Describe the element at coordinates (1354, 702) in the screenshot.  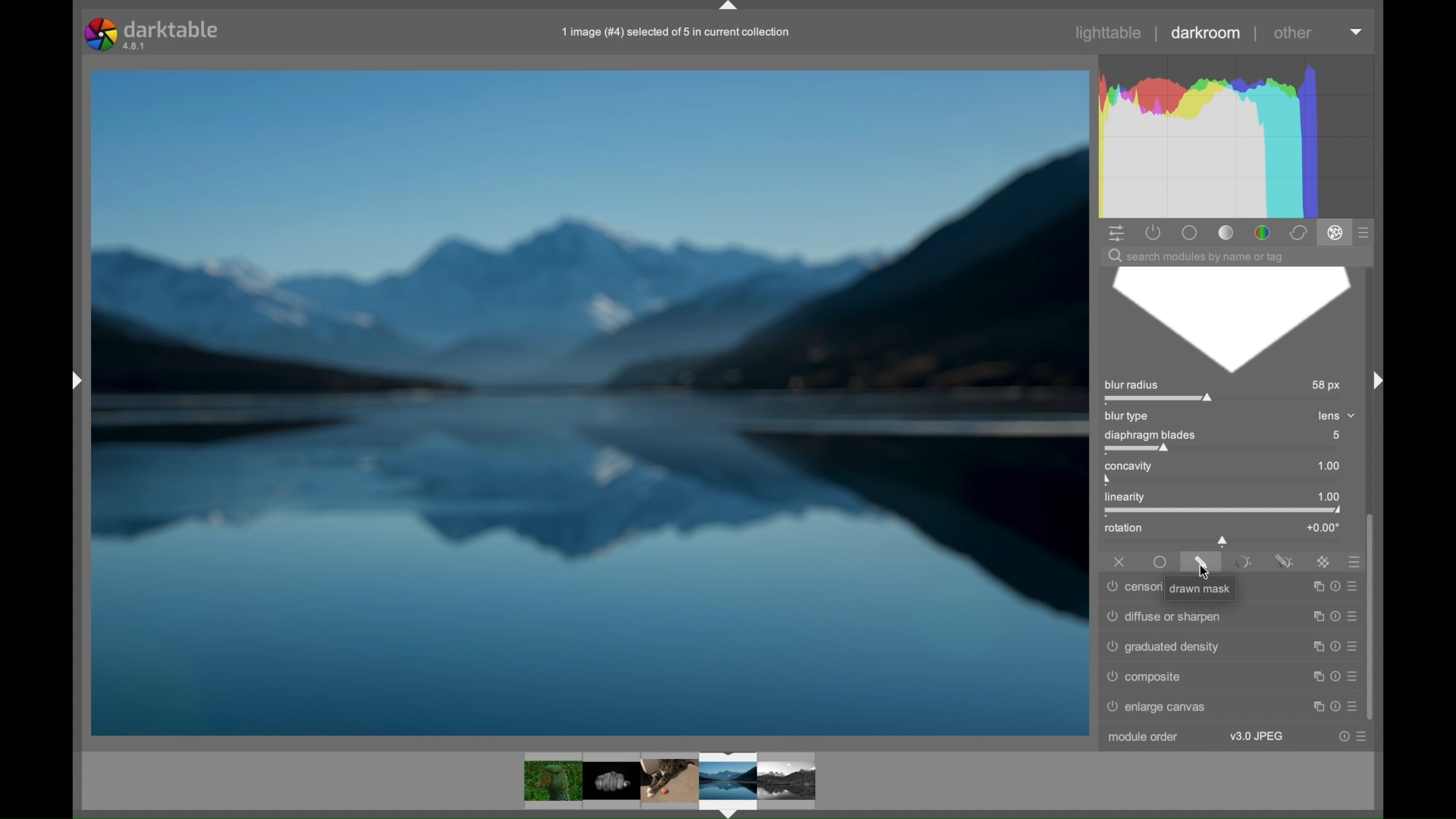
I see `more options` at that location.